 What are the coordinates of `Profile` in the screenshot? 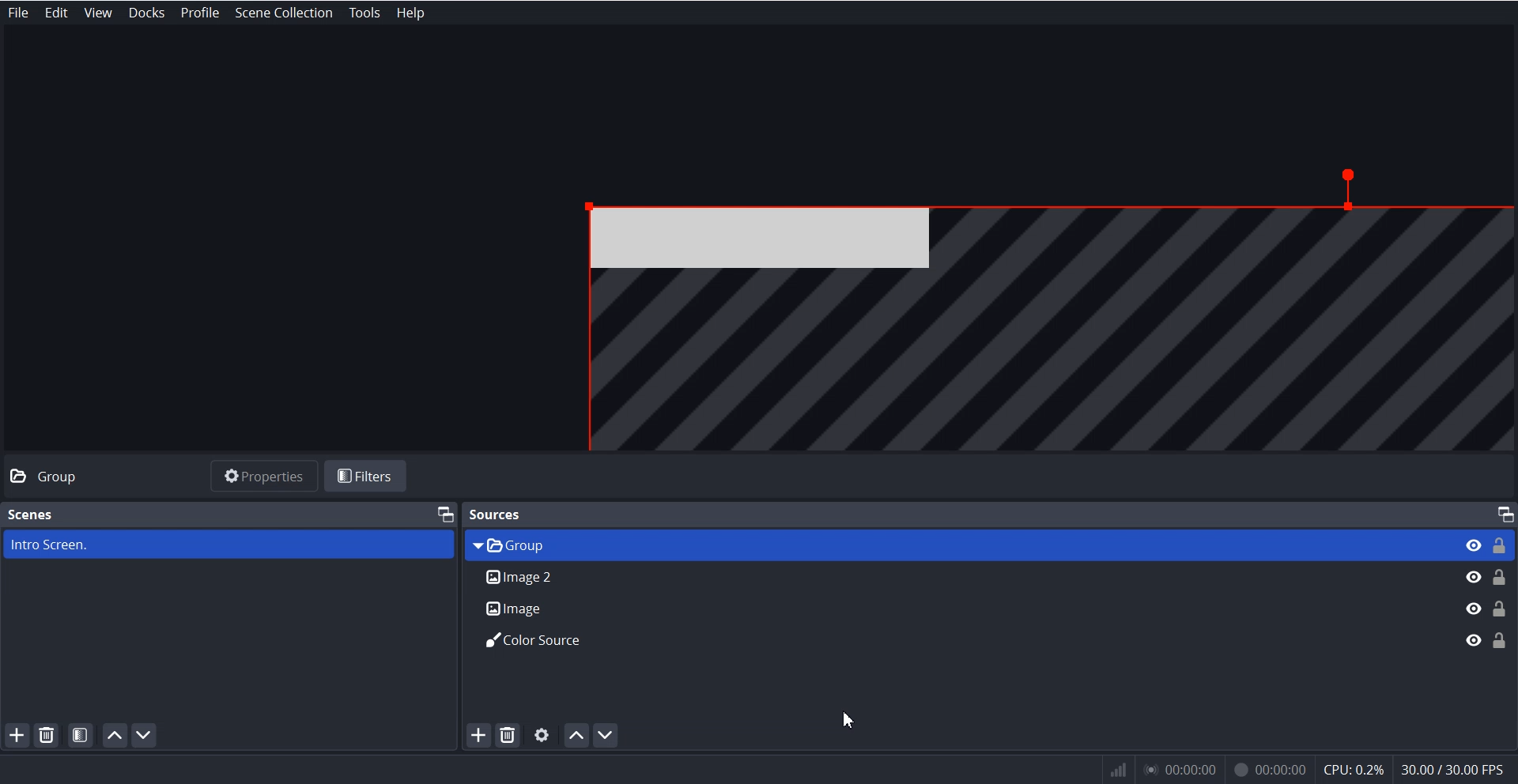 It's located at (200, 13).